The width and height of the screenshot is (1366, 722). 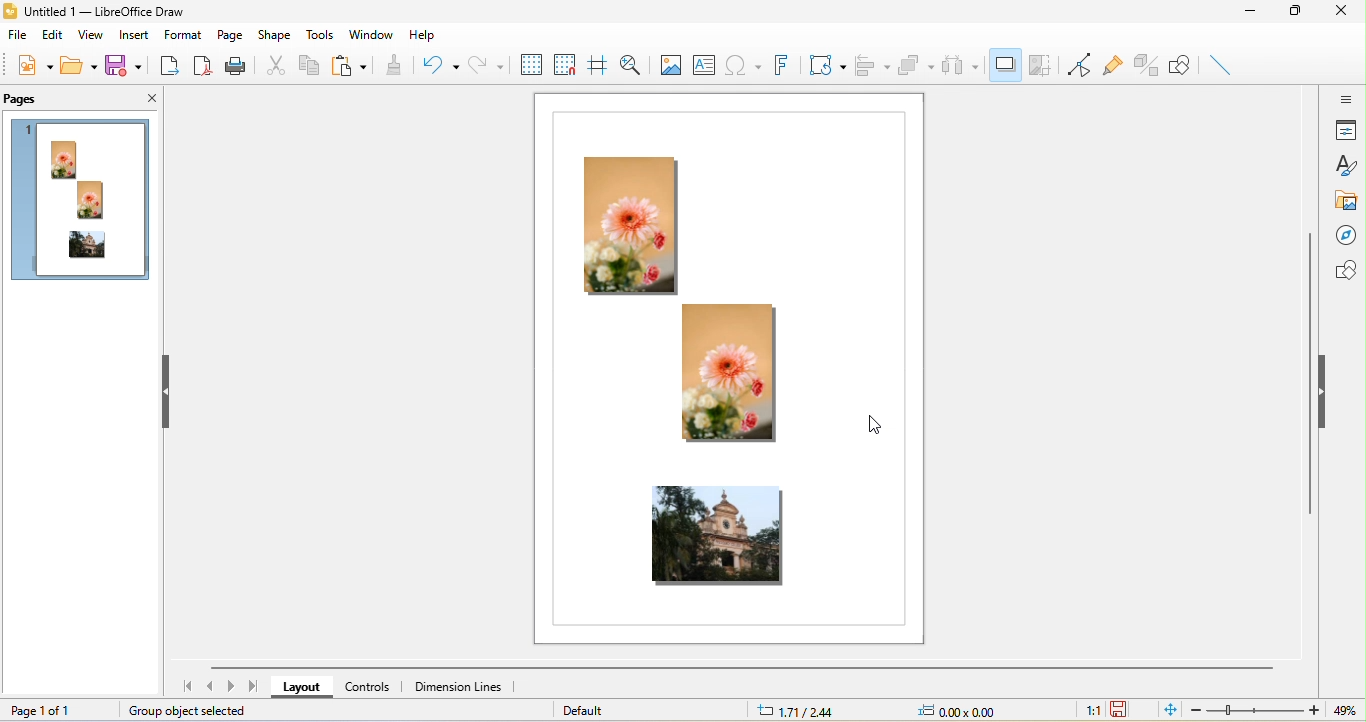 What do you see at coordinates (254, 687) in the screenshot?
I see `last page` at bounding box center [254, 687].